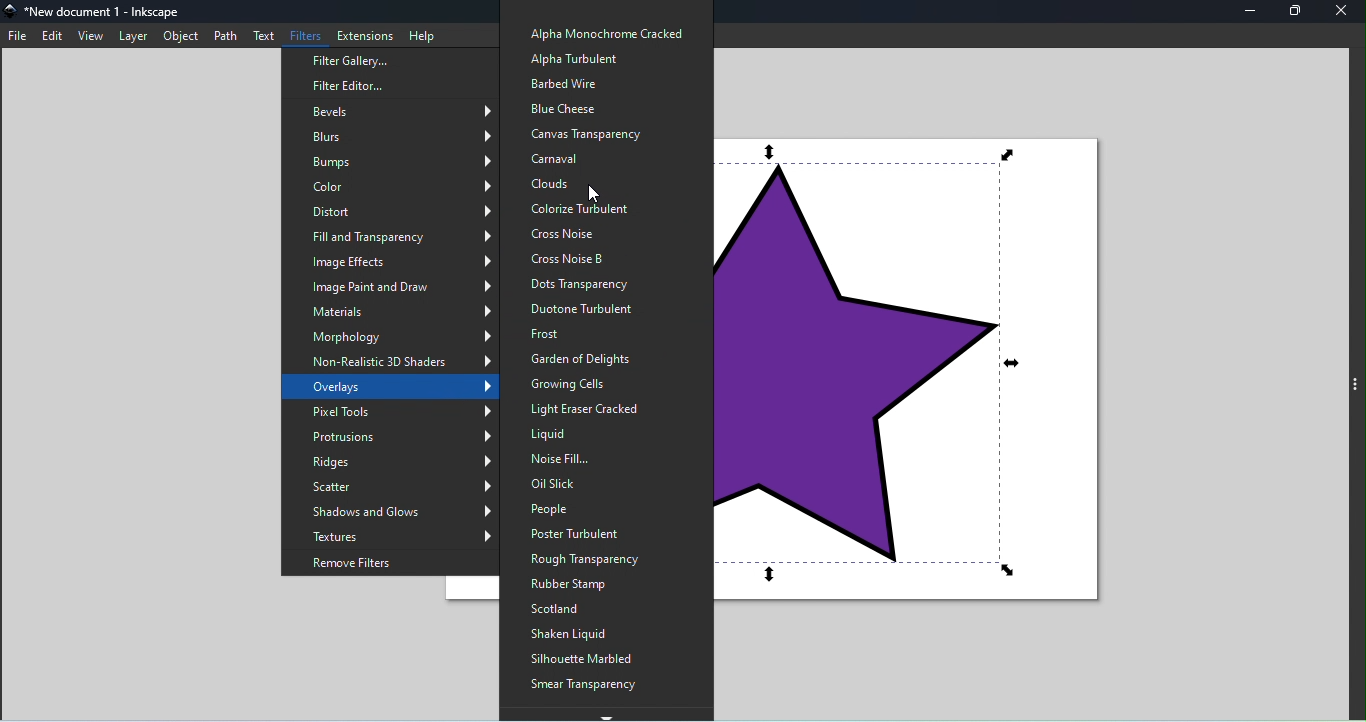  What do you see at coordinates (397, 511) in the screenshot?
I see `Shadows and Glows` at bounding box center [397, 511].